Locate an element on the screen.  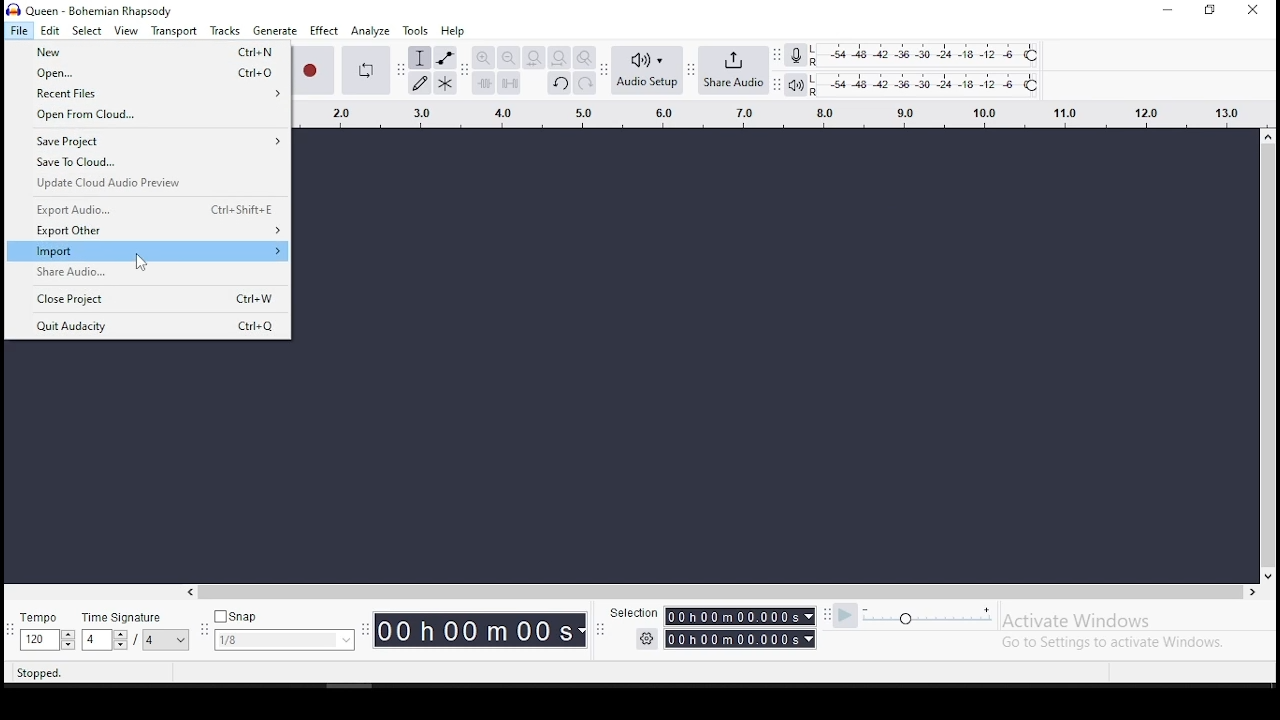
share audio is located at coordinates (147, 273).